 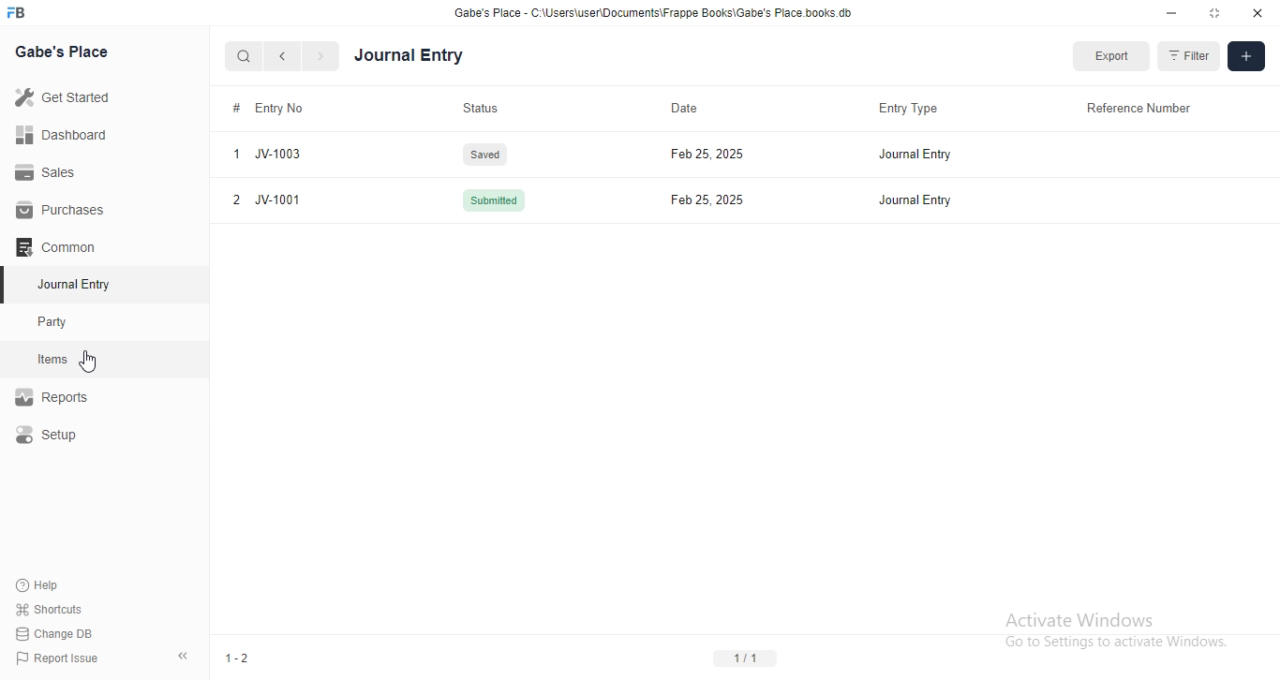 What do you see at coordinates (50, 437) in the screenshot?
I see `Setup` at bounding box center [50, 437].